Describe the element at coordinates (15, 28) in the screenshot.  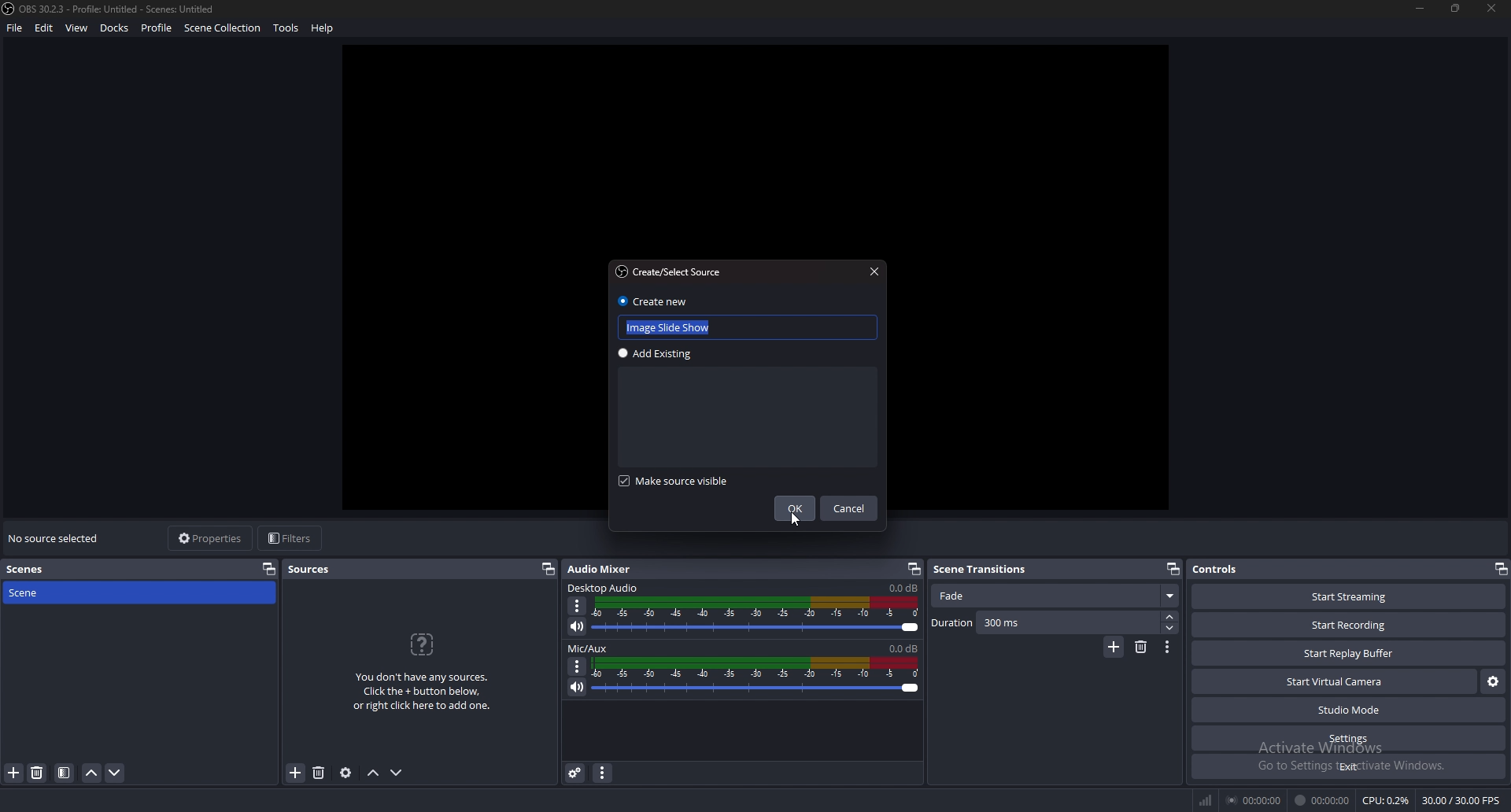
I see `file` at that location.